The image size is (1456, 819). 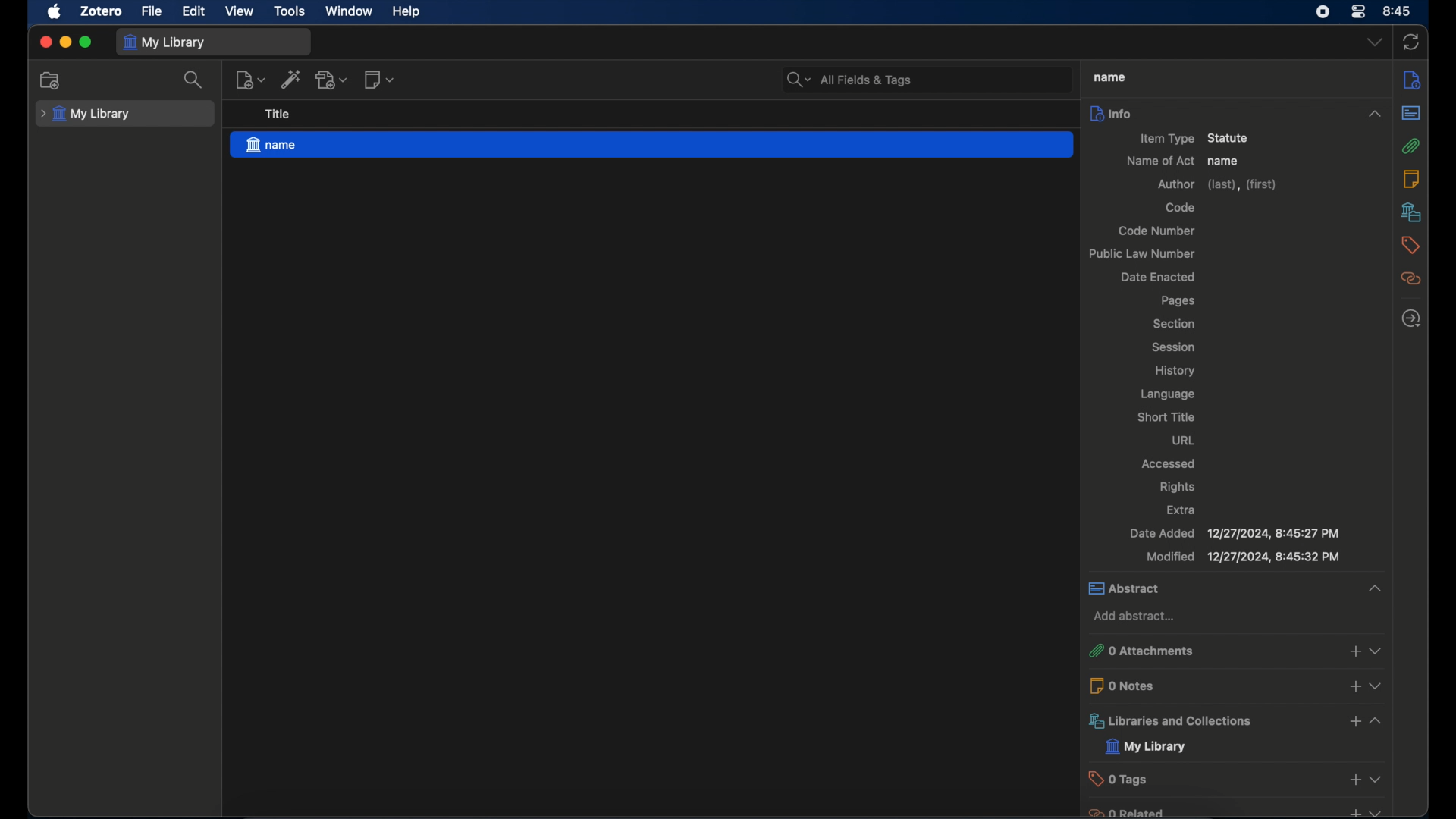 What do you see at coordinates (1376, 810) in the screenshot?
I see `dropdown` at bounding box center [1376, 810].